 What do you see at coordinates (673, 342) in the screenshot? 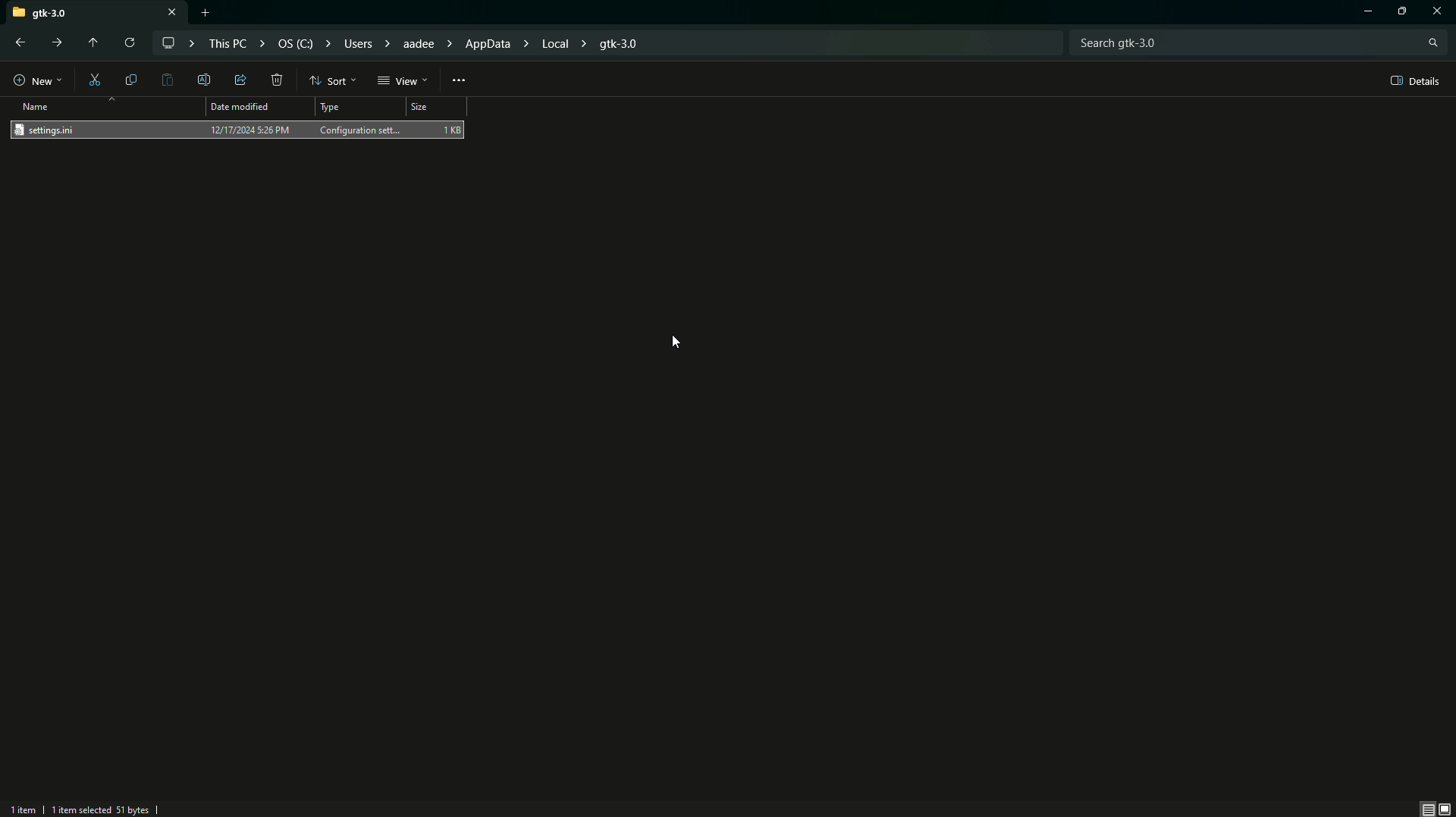
I see `Cursor` at bounding box center [673, 342].